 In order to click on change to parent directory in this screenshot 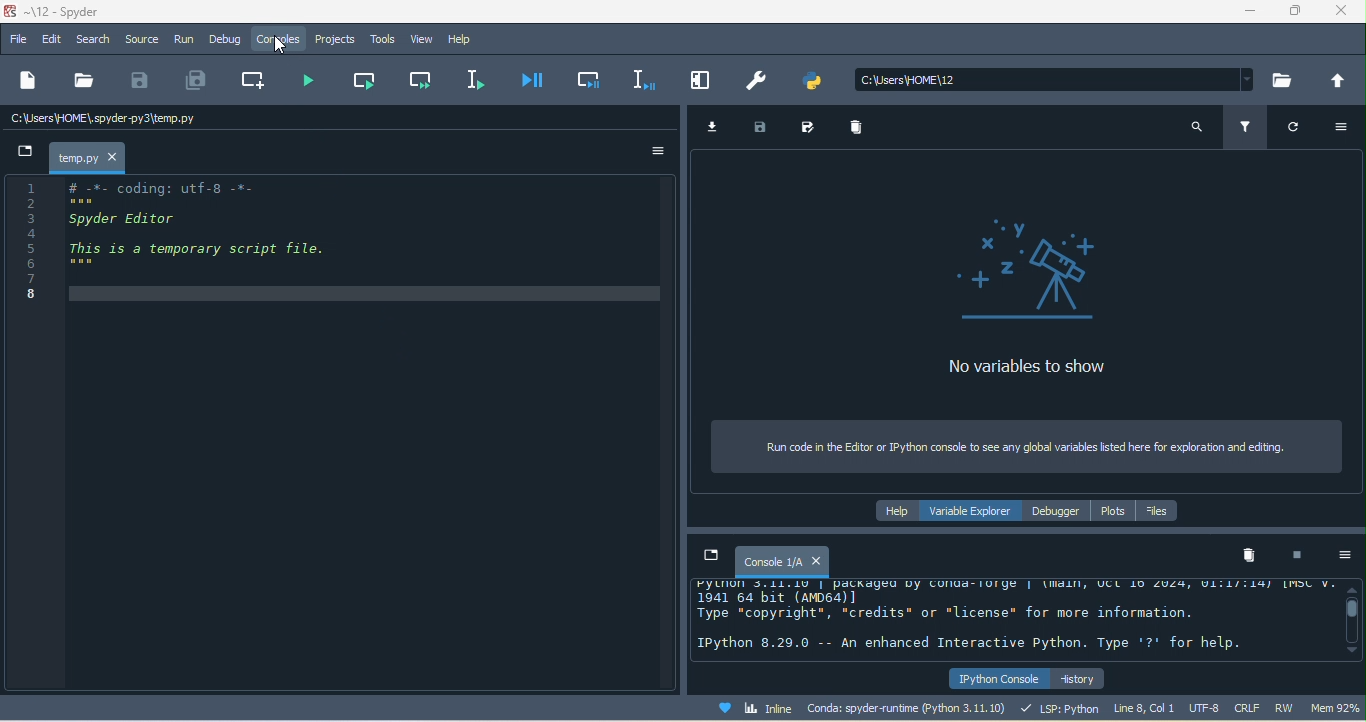, I will do `click(1340, 81)`.